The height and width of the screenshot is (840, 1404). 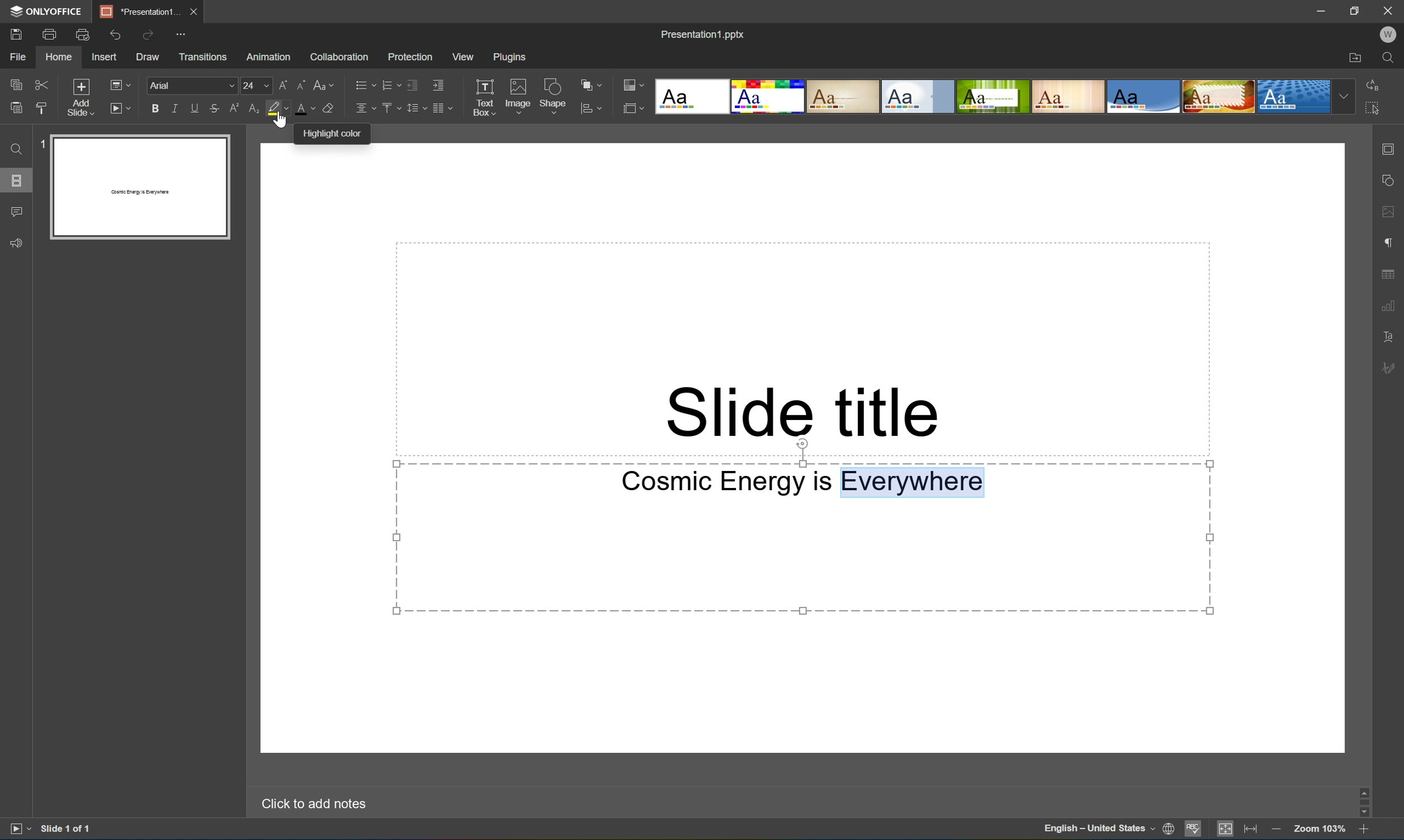 What do you see at coordinates (1389, 304) in the screenshot?
I see `Chart settings` at bounding box center [1389, 304].